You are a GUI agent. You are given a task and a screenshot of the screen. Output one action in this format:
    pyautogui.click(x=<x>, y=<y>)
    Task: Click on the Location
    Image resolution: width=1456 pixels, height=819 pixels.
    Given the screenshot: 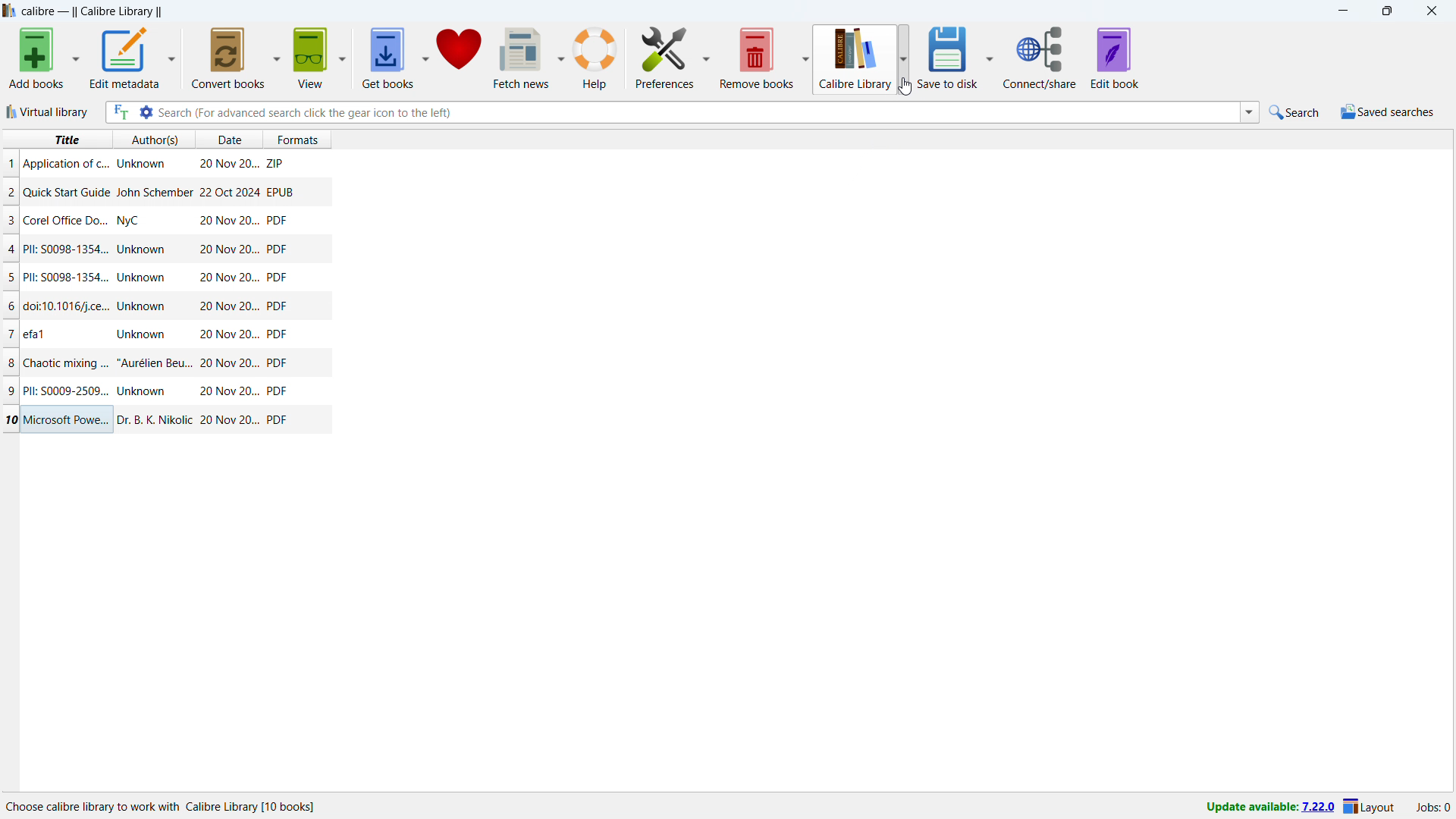 What is the action you would take?
    pyautogui.click(x=168, y=808)
    